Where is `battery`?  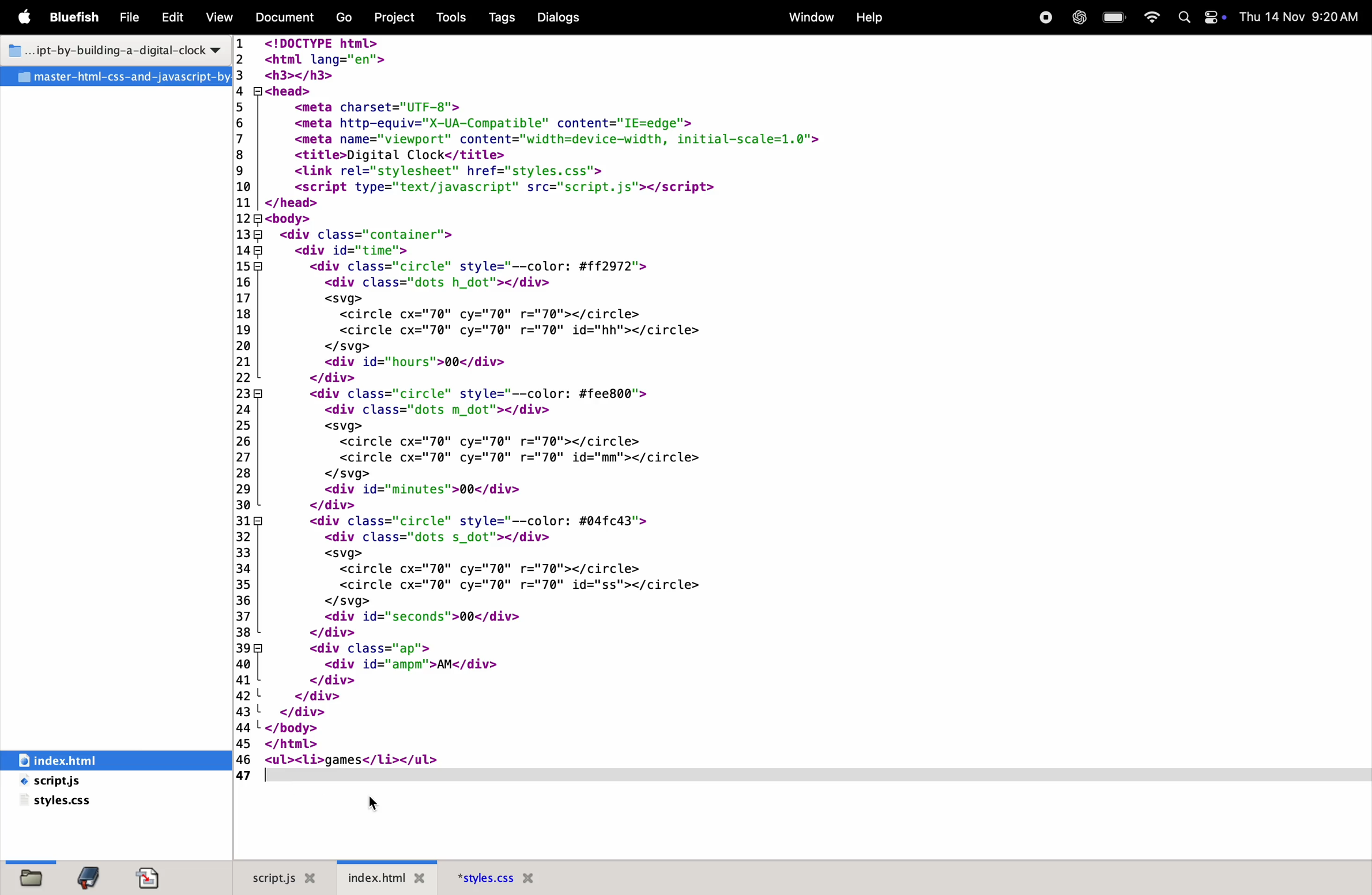
battery is located at coordinates (1113, 18).